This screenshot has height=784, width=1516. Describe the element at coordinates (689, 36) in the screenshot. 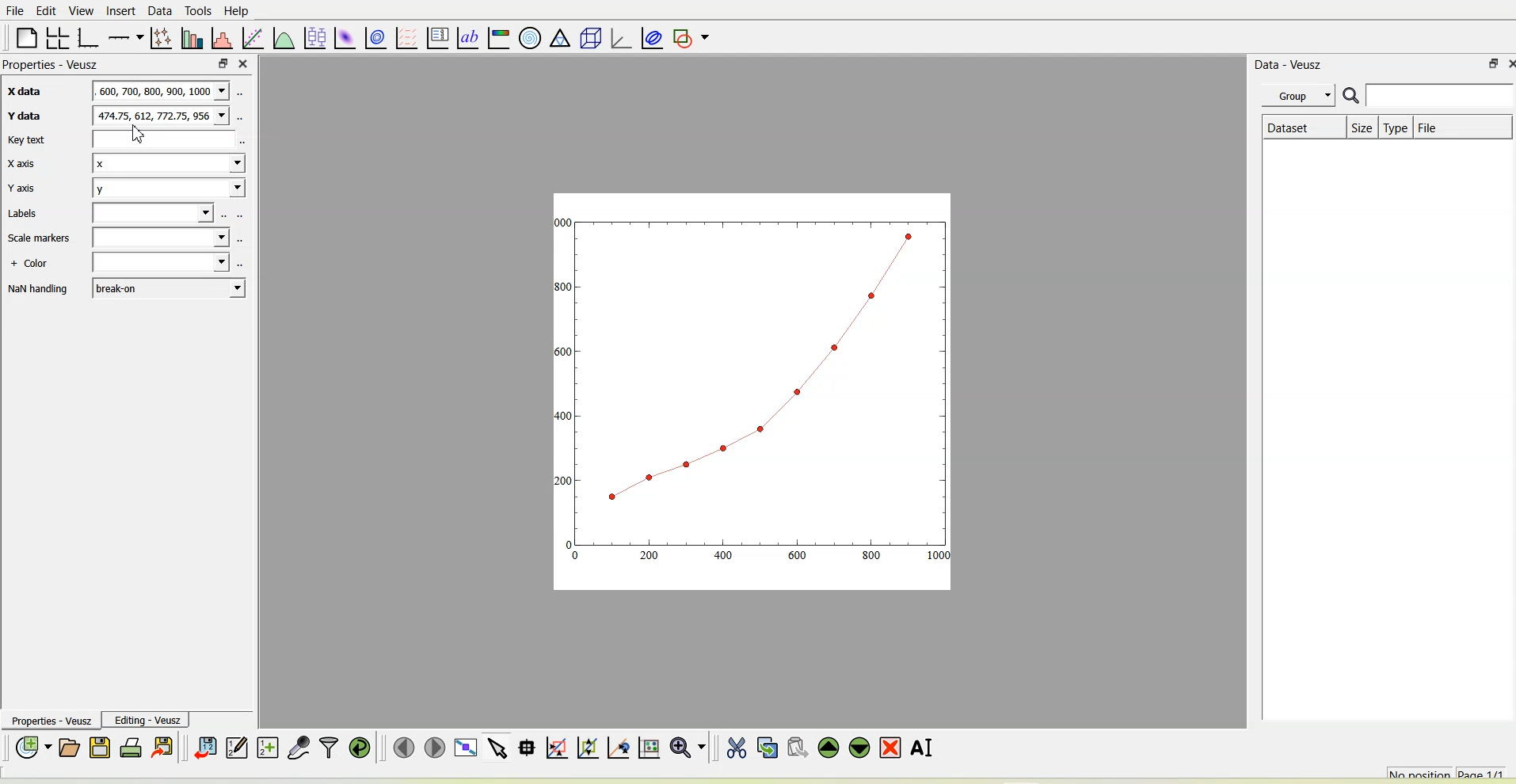

I see `Add a shape to the plot` at that location.